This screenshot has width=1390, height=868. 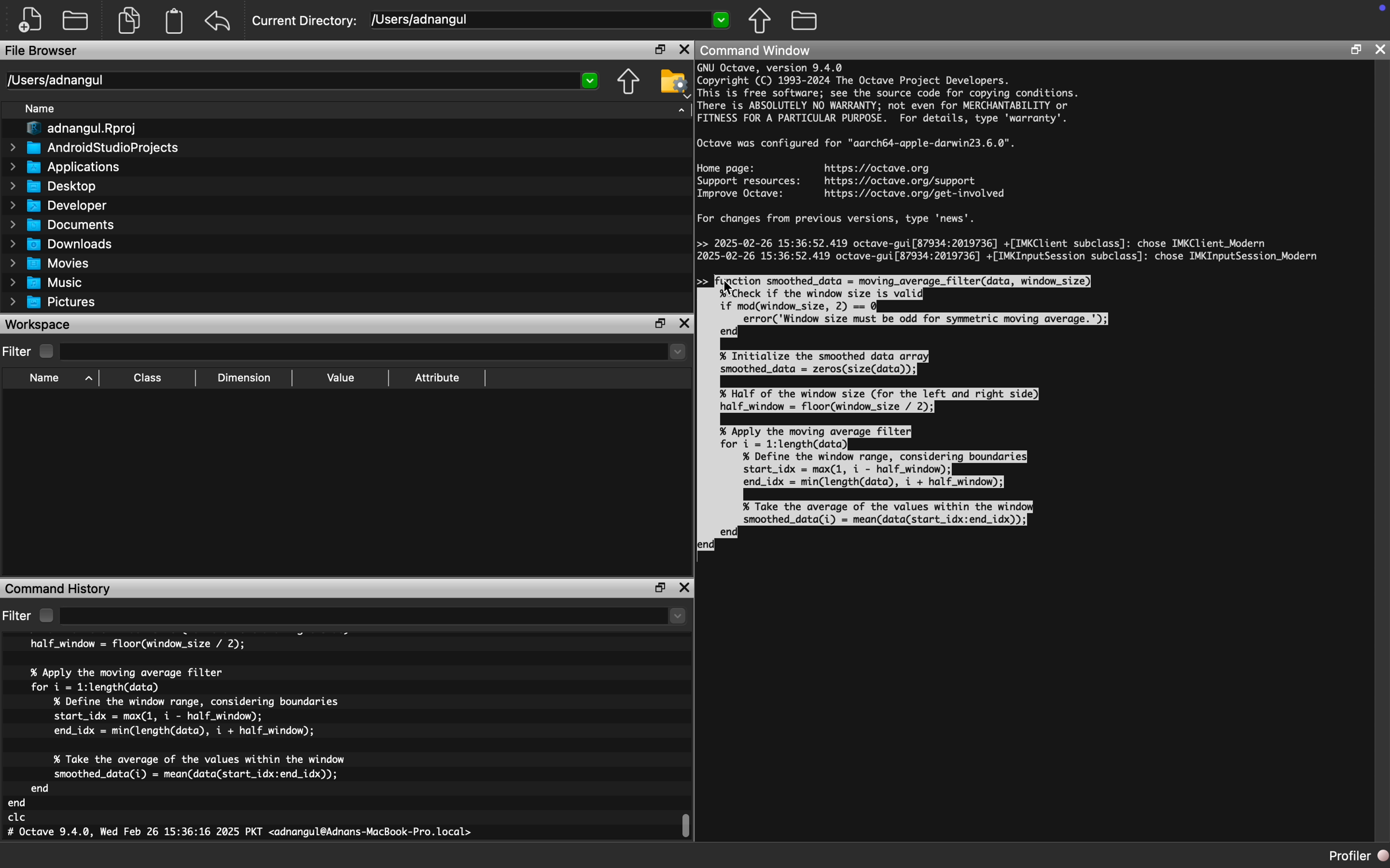 What do you see at coordinates (18, 617) in the screenshot?
I see `Filter` at bounding box center [18, 617].